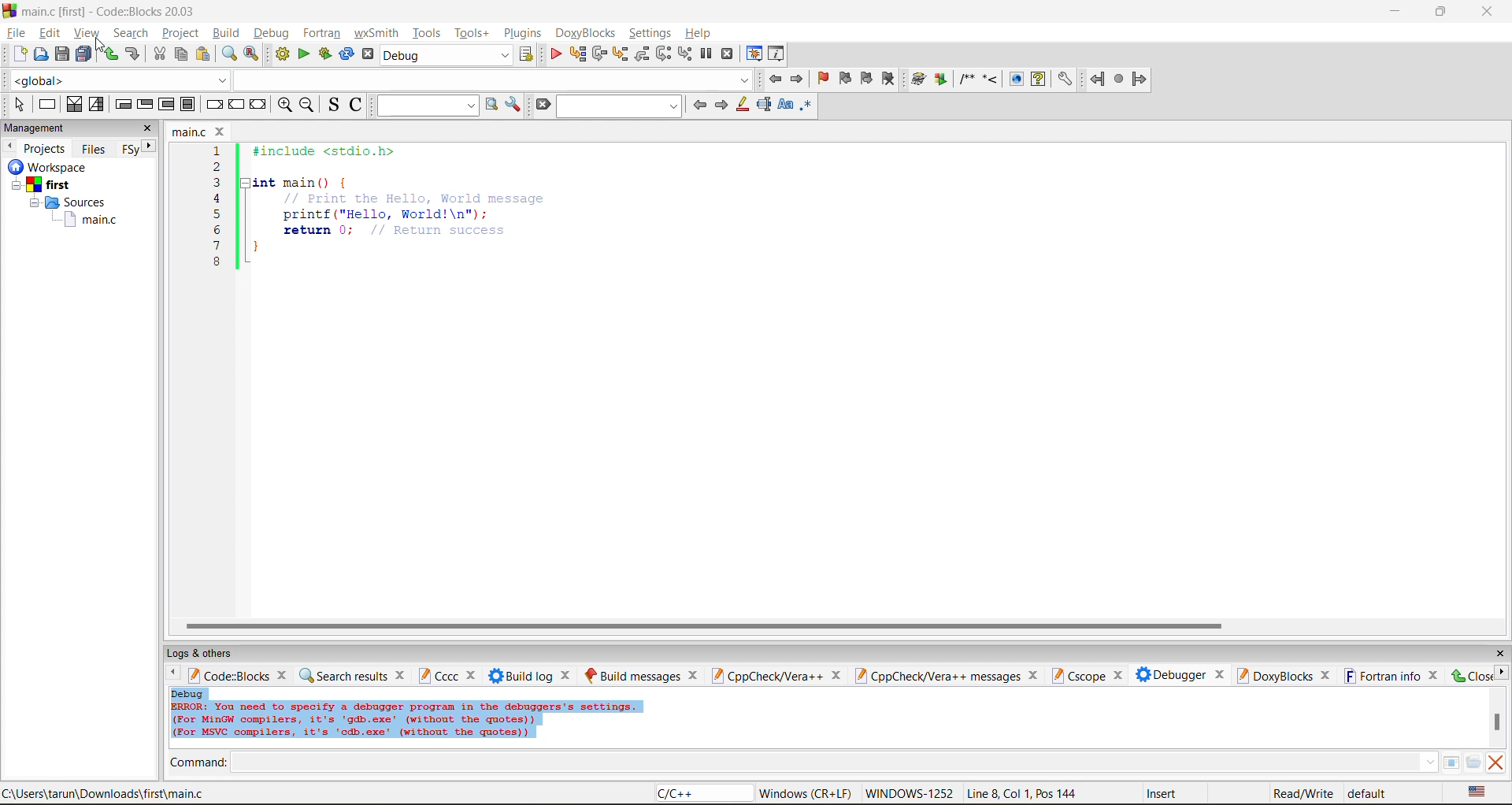 This screenshot has height=805, width=1512. What do you see at coordinates (189, 104) in the screenshot?
I see `block instruction` at bounding box center [189, 104].